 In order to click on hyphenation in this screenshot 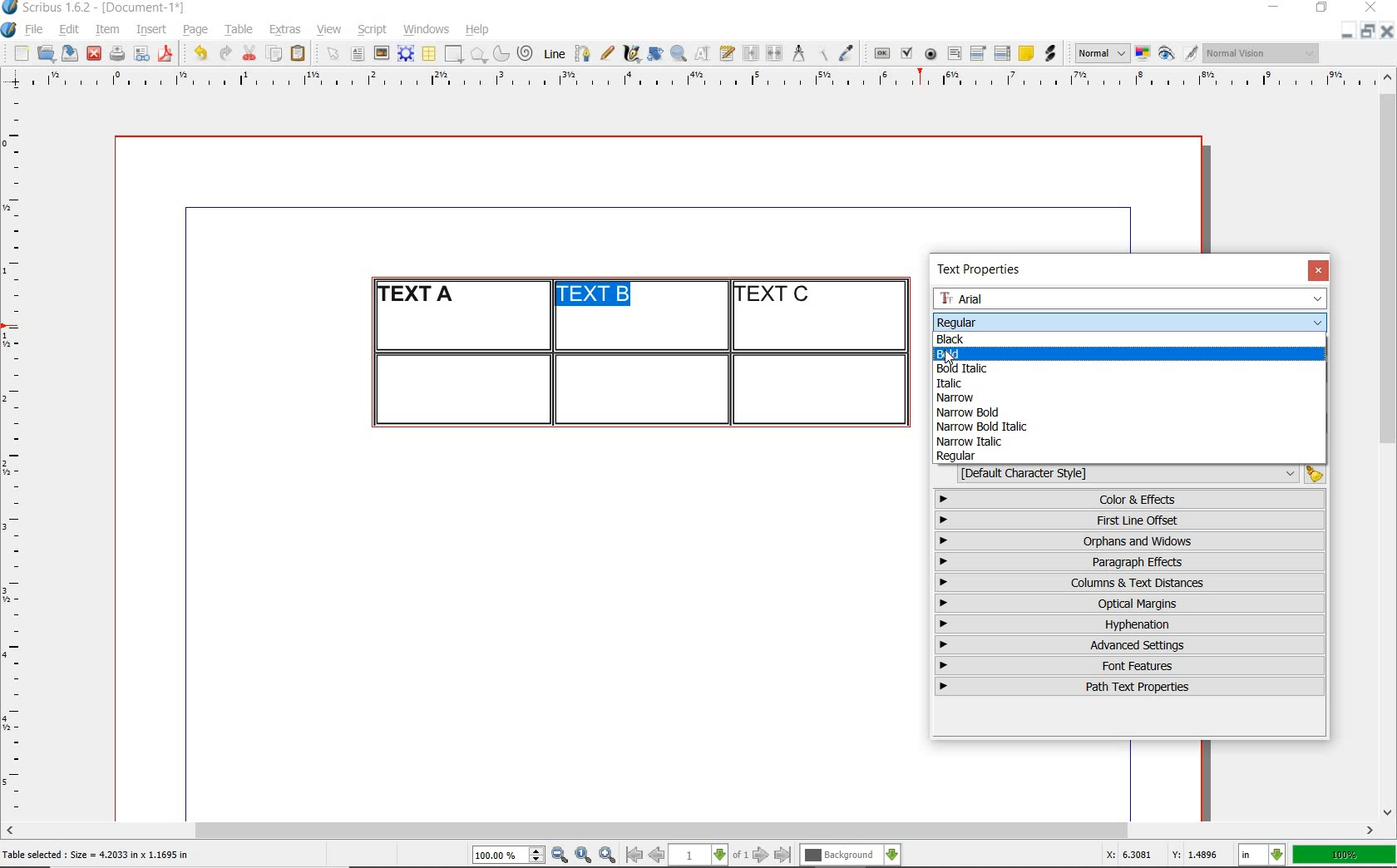, I will do `click(1130, 624)`.